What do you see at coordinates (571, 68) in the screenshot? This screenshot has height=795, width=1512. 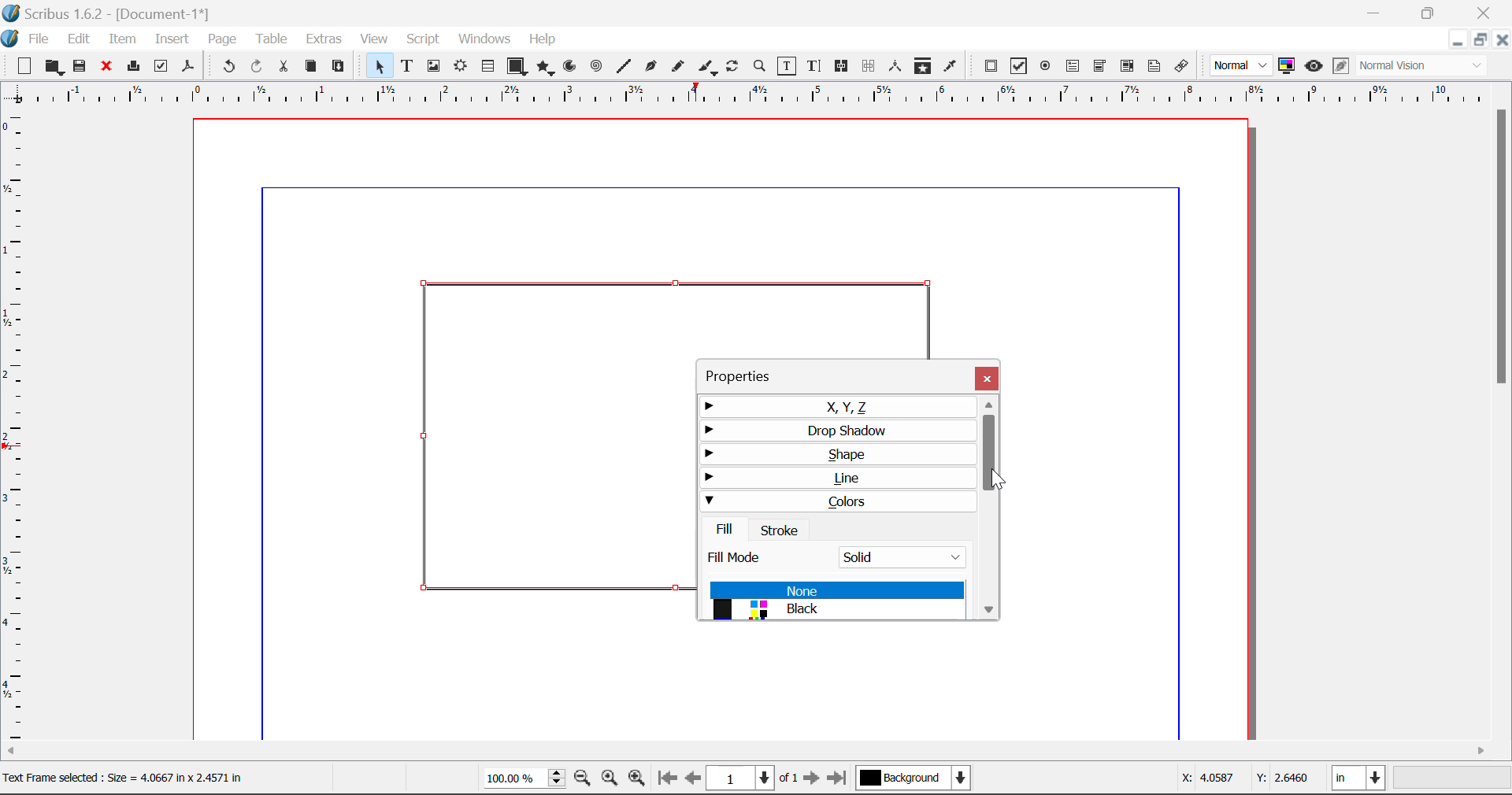 I see `Arc` at bounding box center [571, 68].